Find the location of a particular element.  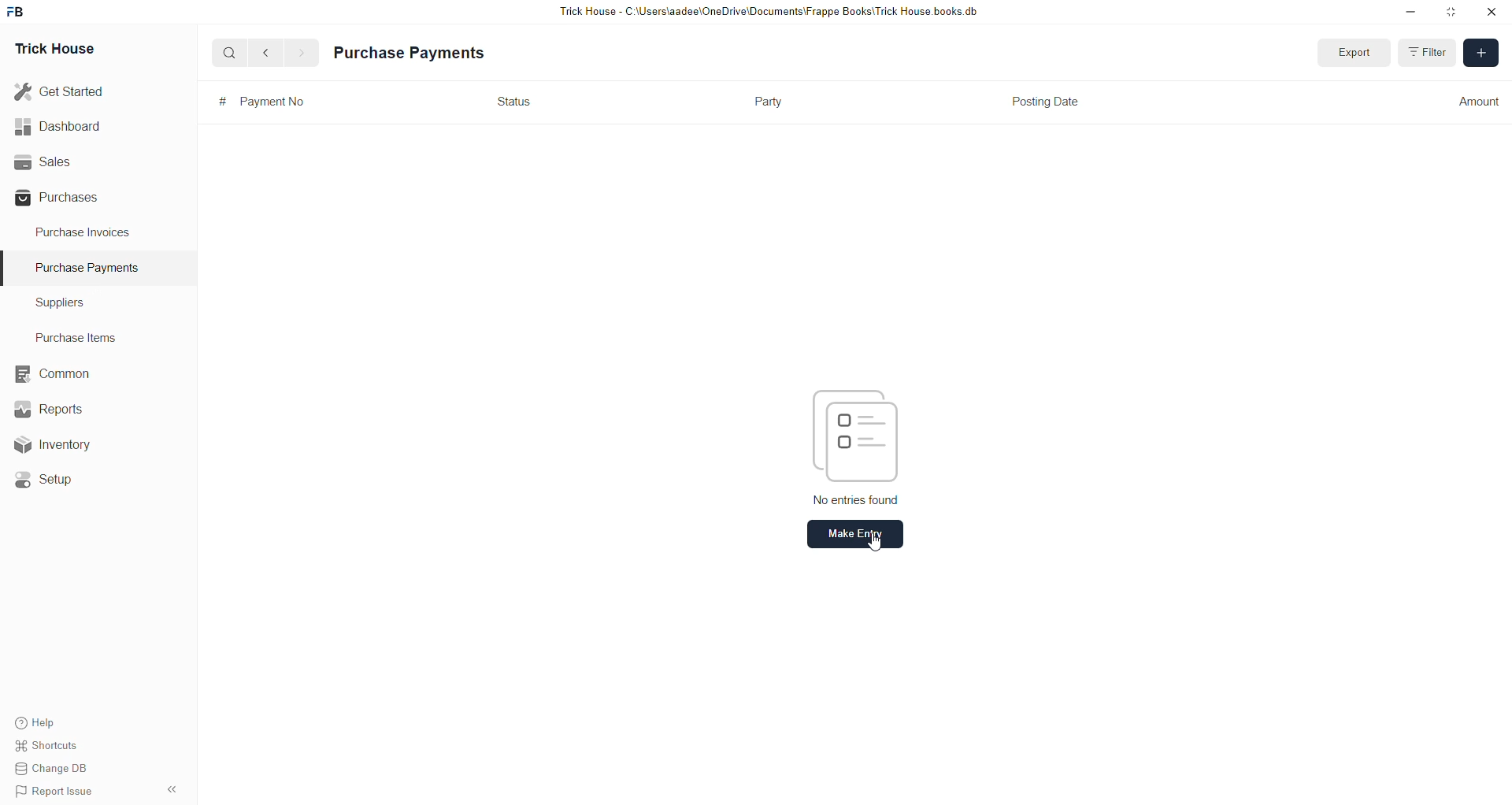

Amount is located at coordinates (1485, 102).